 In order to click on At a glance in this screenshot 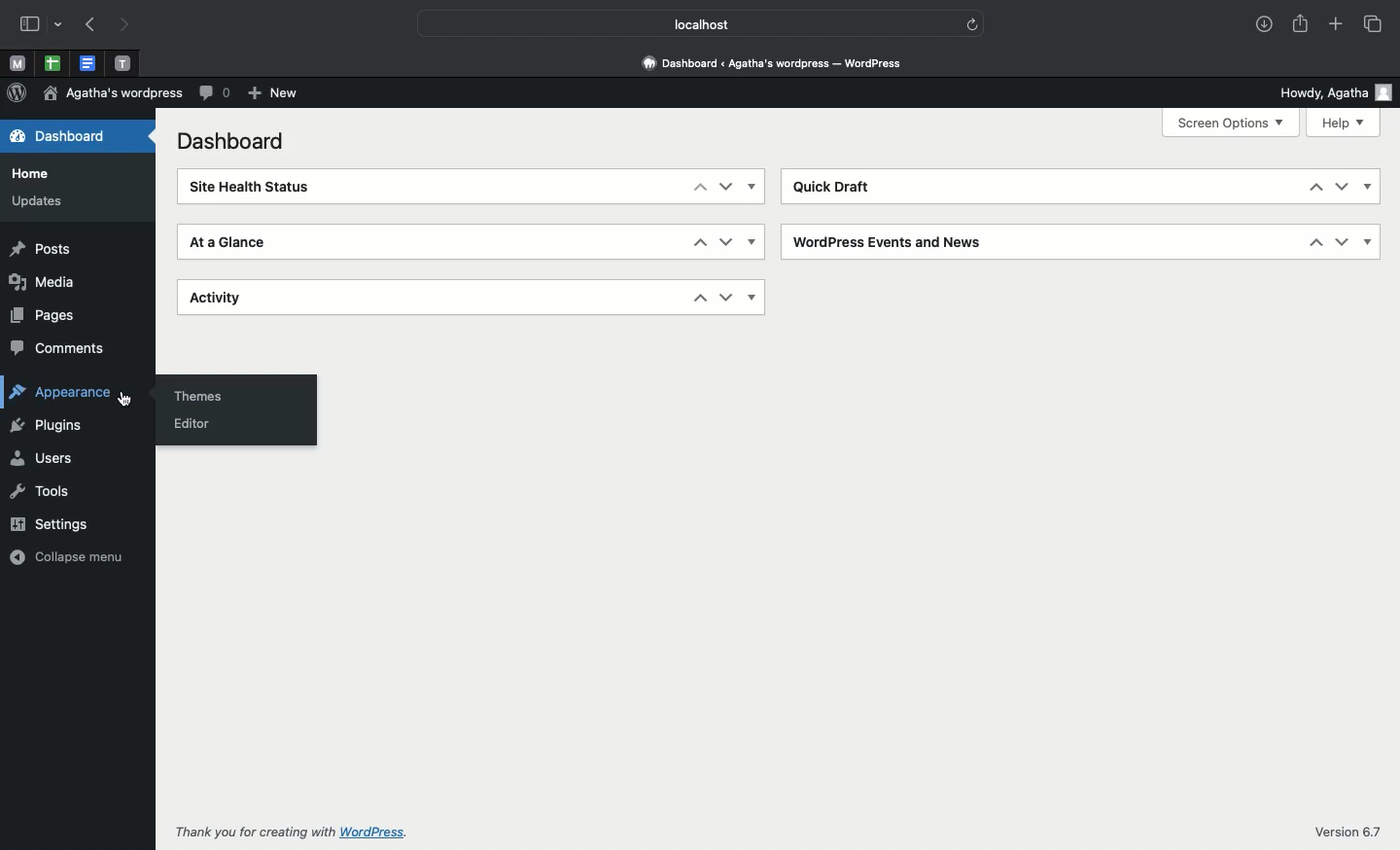, I will do `click(228, 241)`.